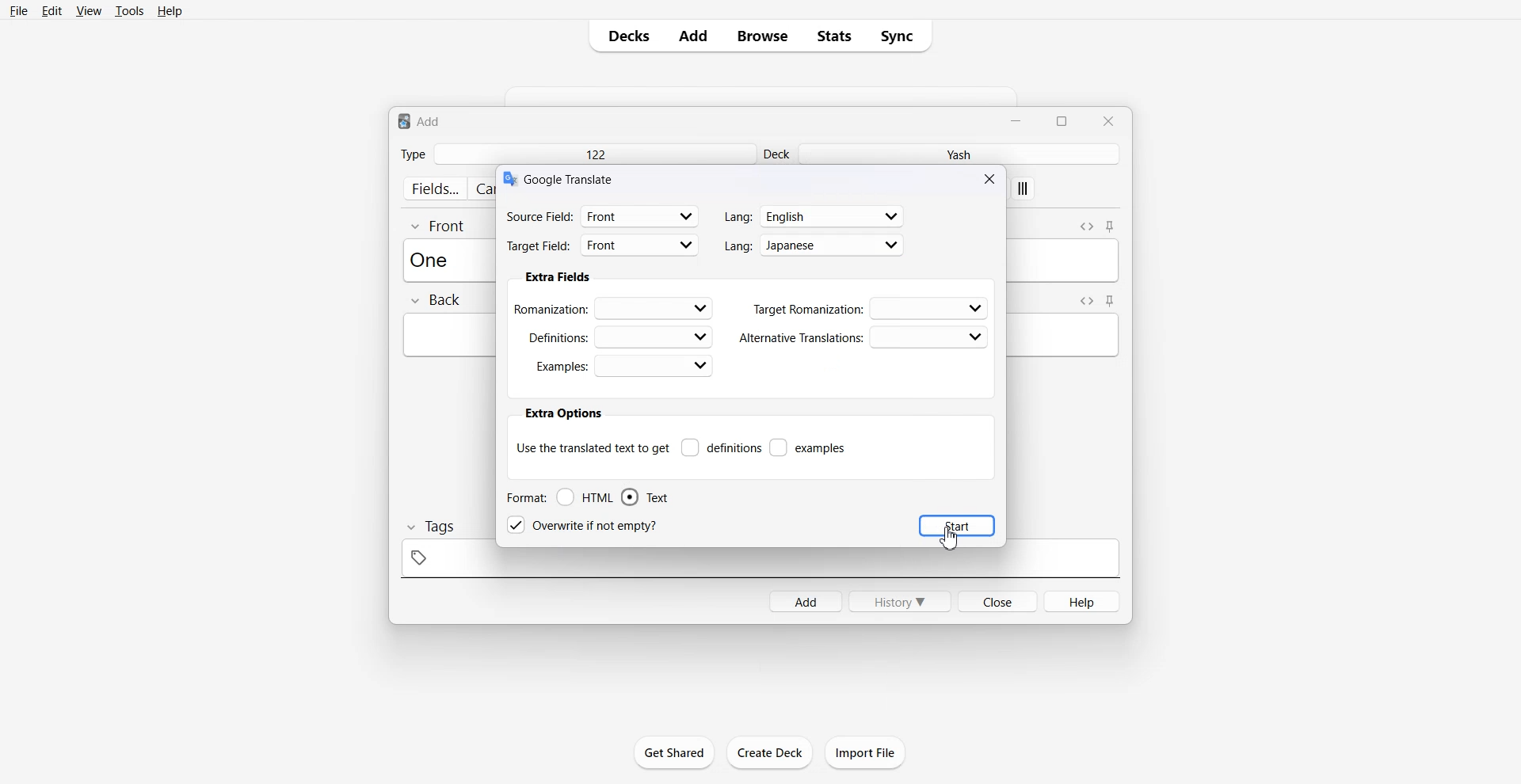 The image size is (1521, 784). I want to click on Yash, so click(963, 154).